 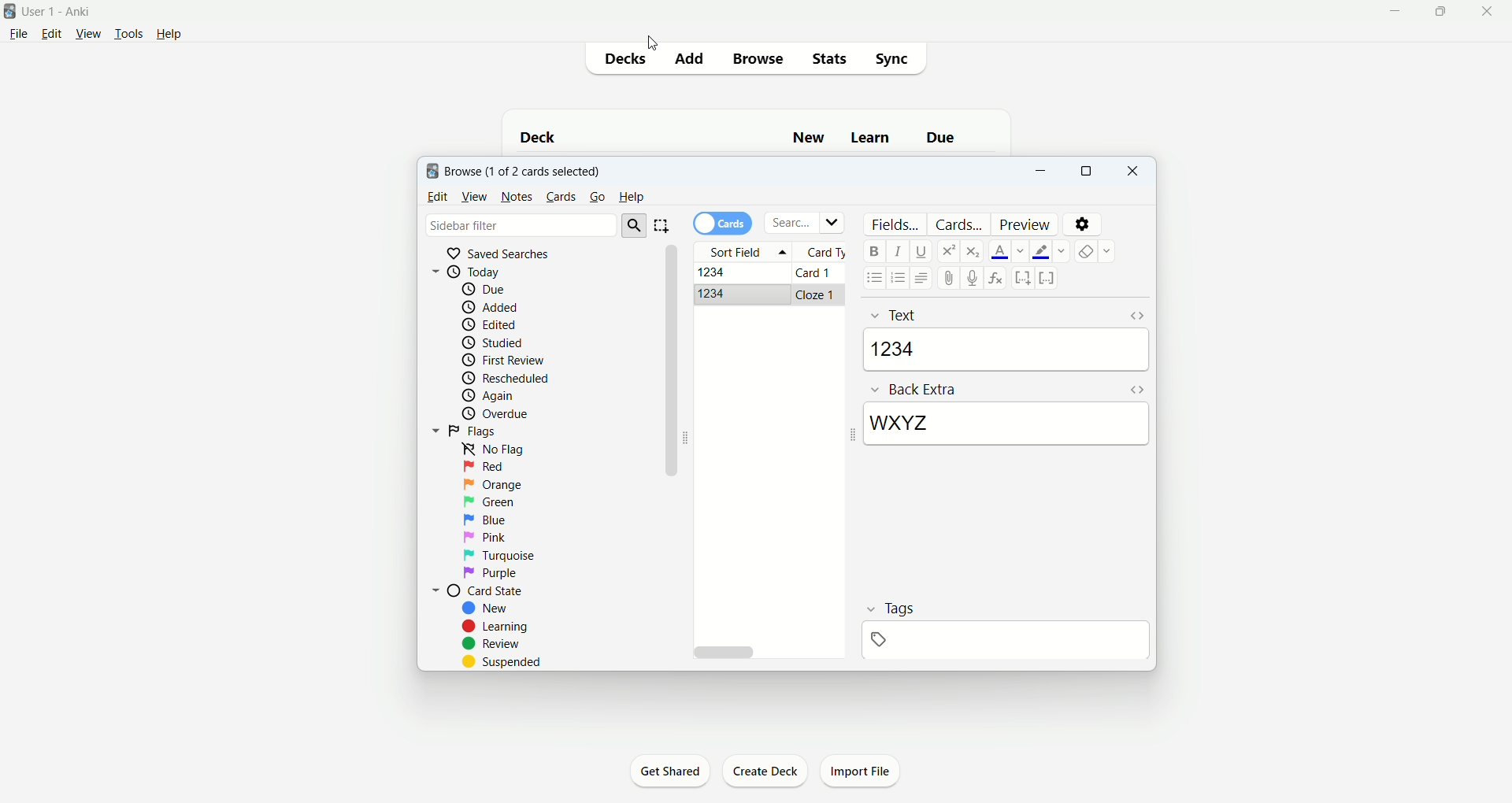 I want to click on suspended, so click(x=504, y=661).